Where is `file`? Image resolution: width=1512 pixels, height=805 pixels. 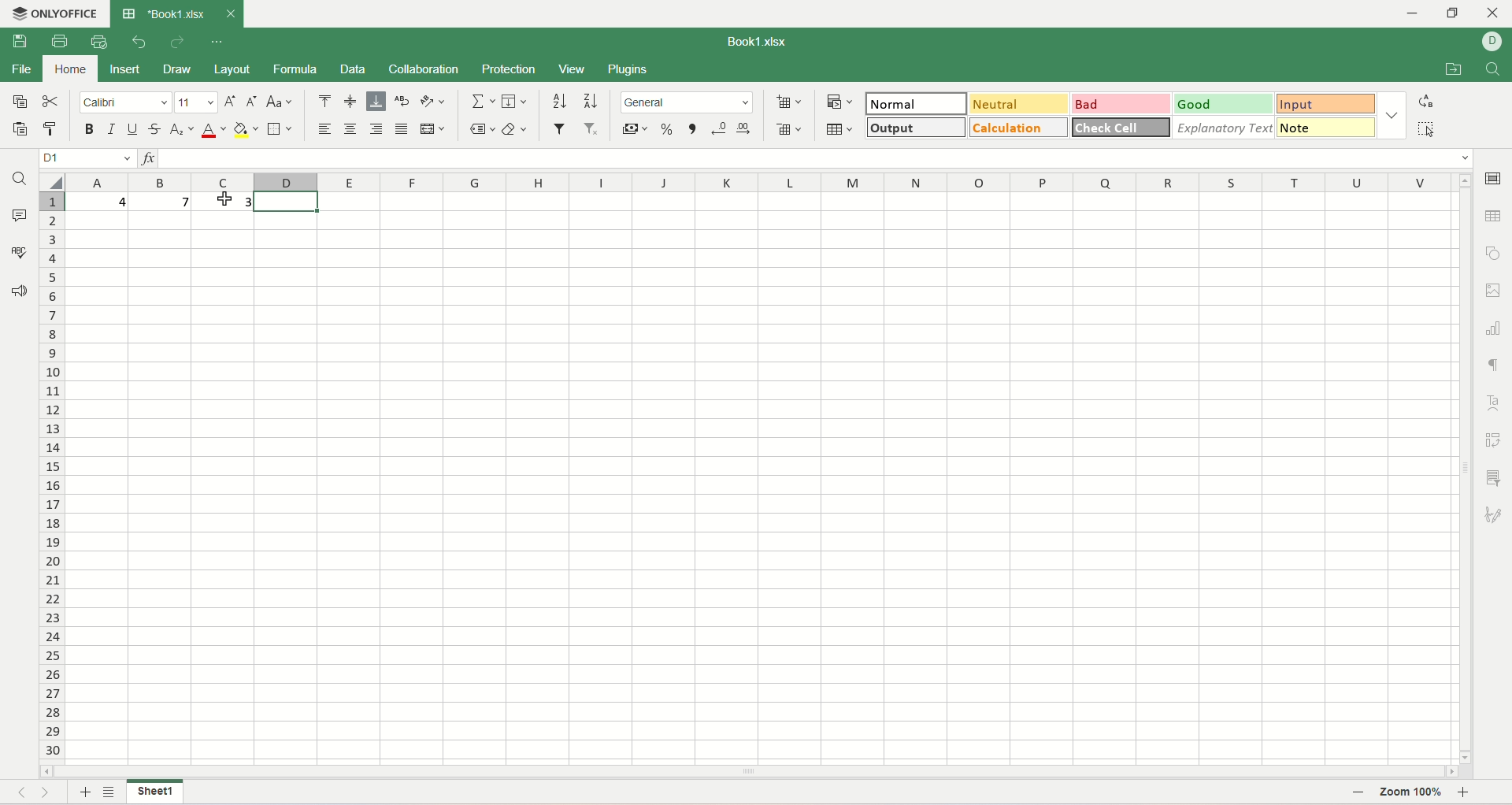
file is located at coordinates (20, 69).